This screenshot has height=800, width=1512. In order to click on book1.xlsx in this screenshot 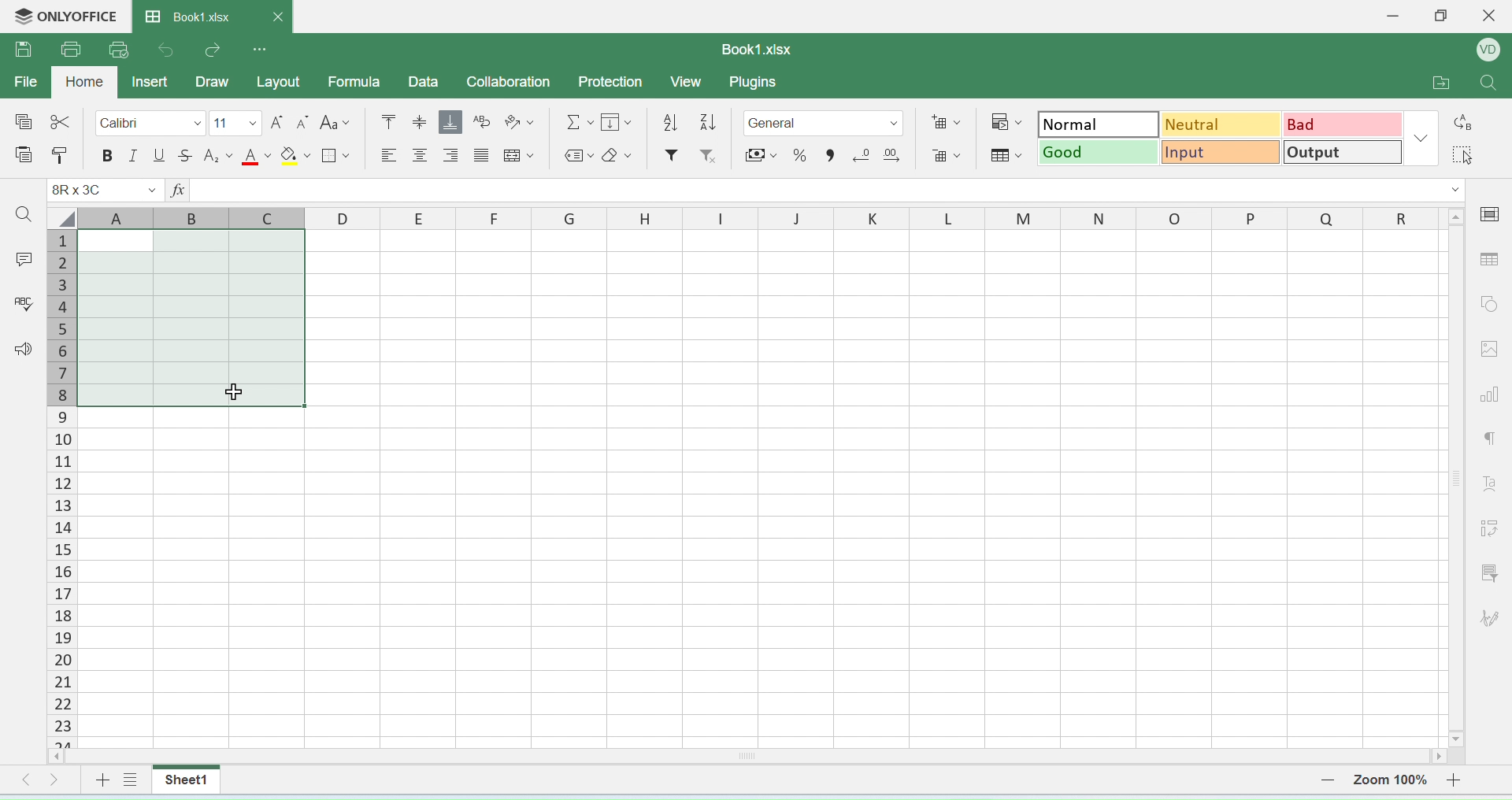, I will do `click(216, 14)`.